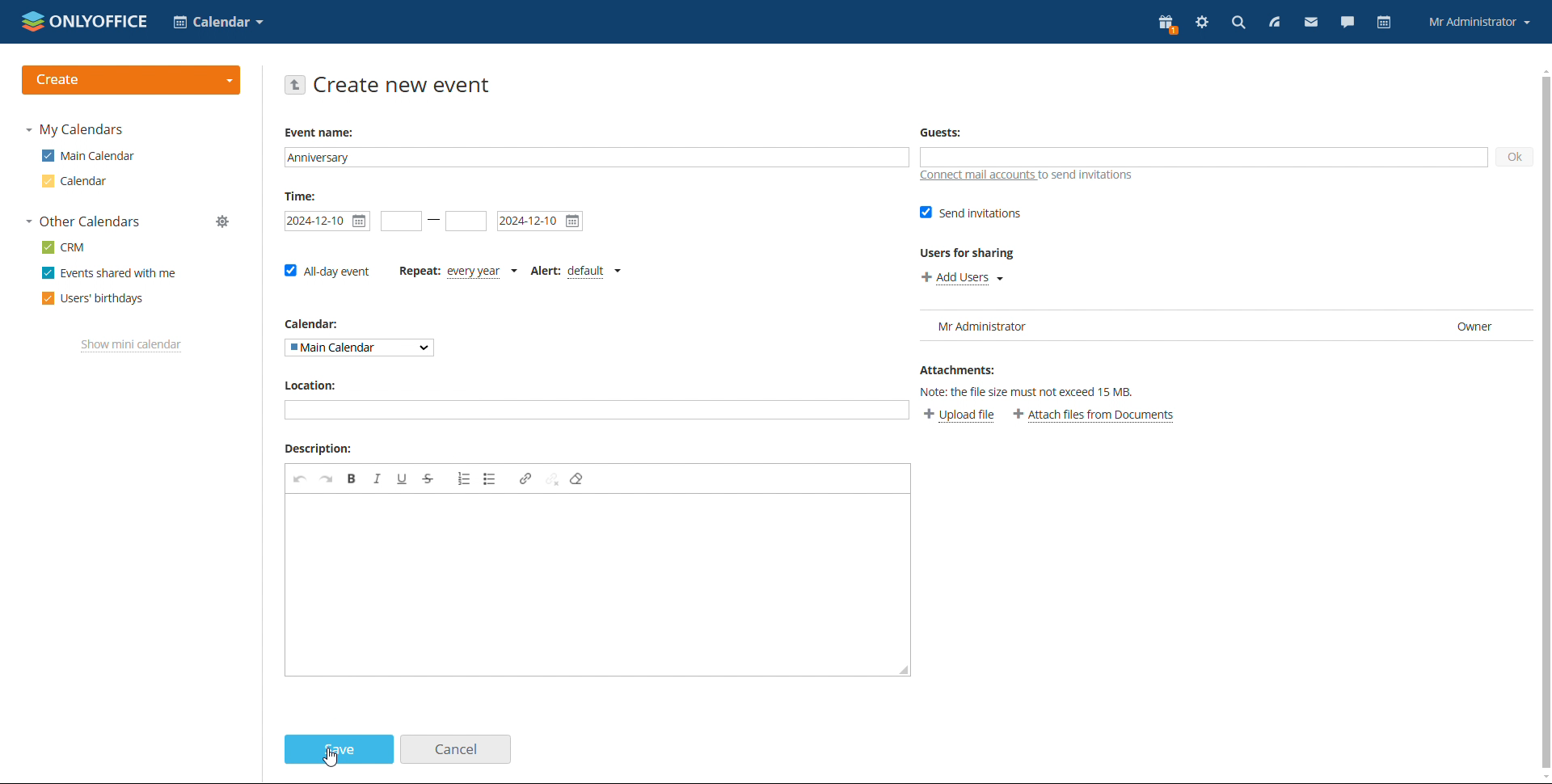 Image resolution: width=1552 pixels, height=784 pixels. What do you see at coordinates (972, 213) in the screenshot?
I see `send invitations` at bounding box center [972, 213].